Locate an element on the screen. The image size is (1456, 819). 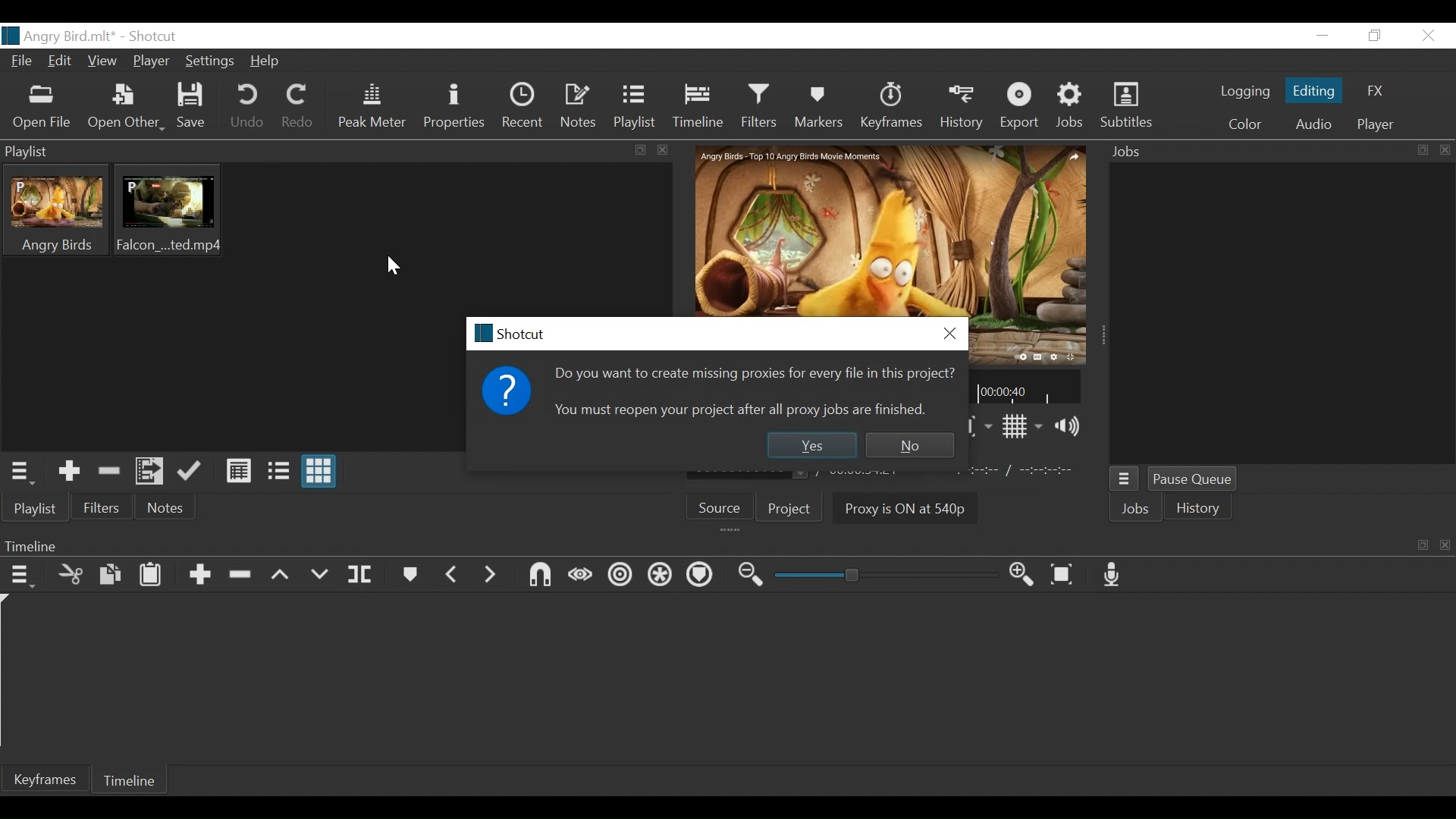
Timeline is located at coordinates (131, 780).